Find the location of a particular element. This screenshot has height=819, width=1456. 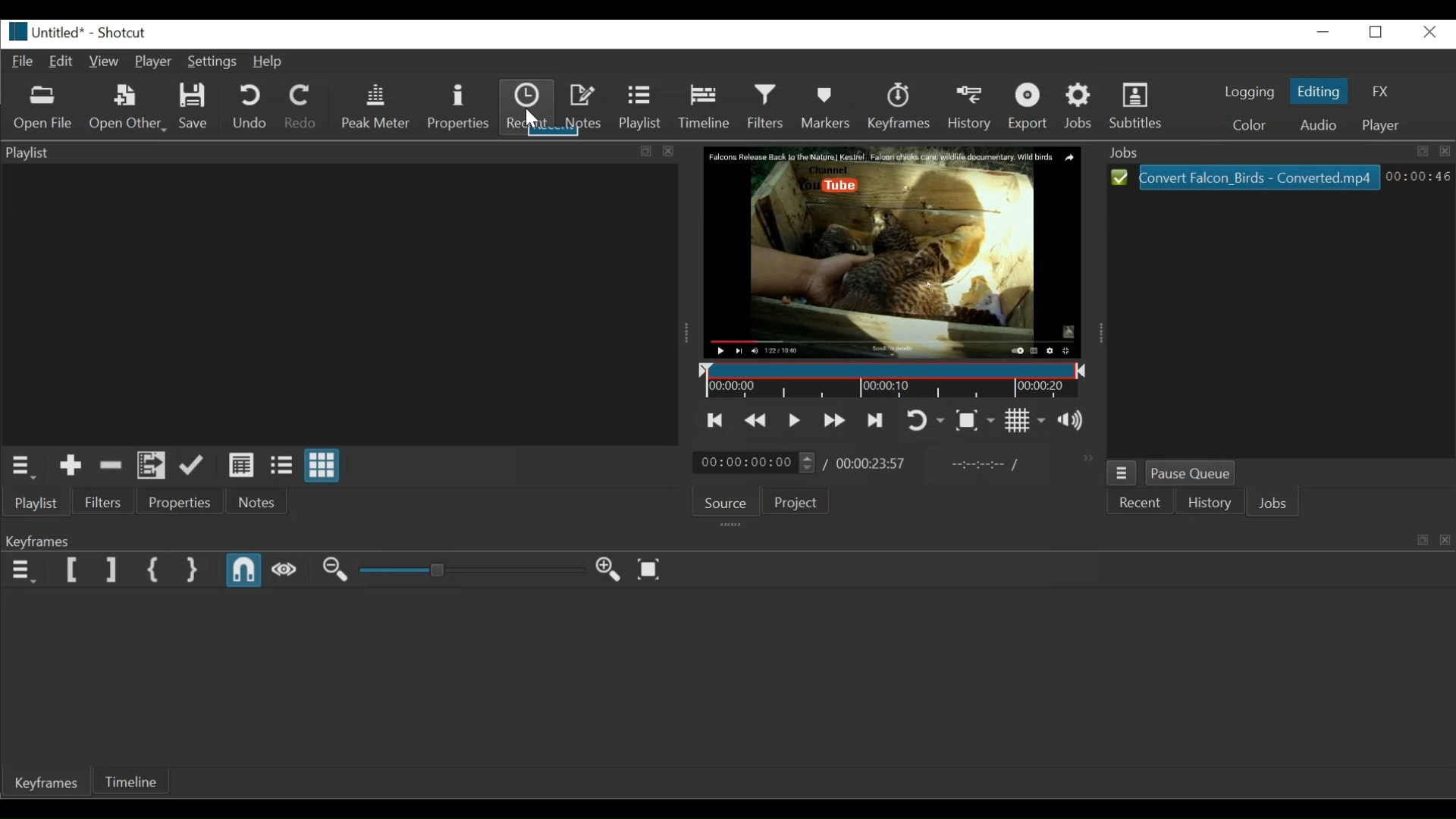

Redo is located at coordinates (301, 106).